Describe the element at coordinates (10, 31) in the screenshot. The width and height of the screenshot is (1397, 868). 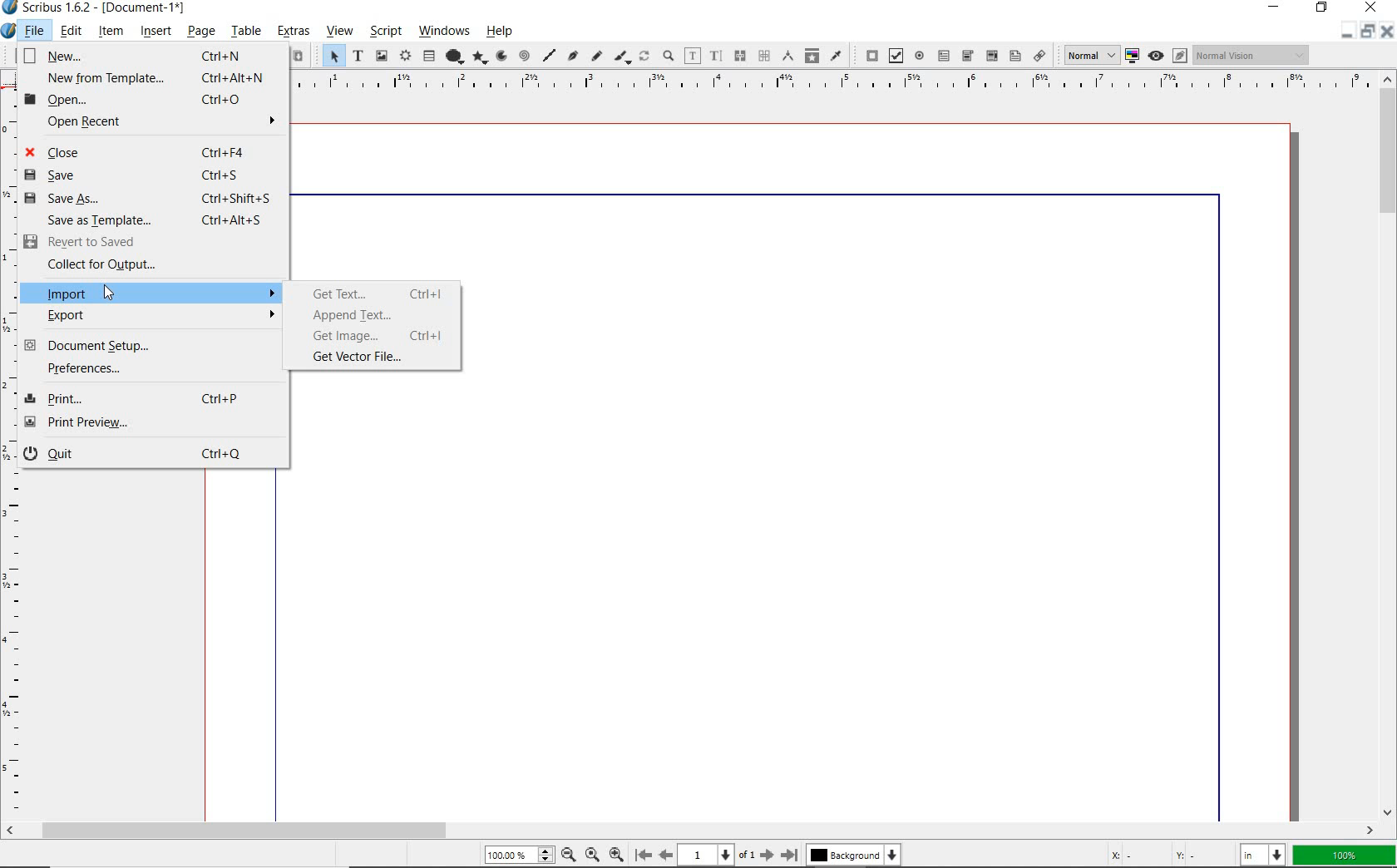
I see `system icon` at that location.